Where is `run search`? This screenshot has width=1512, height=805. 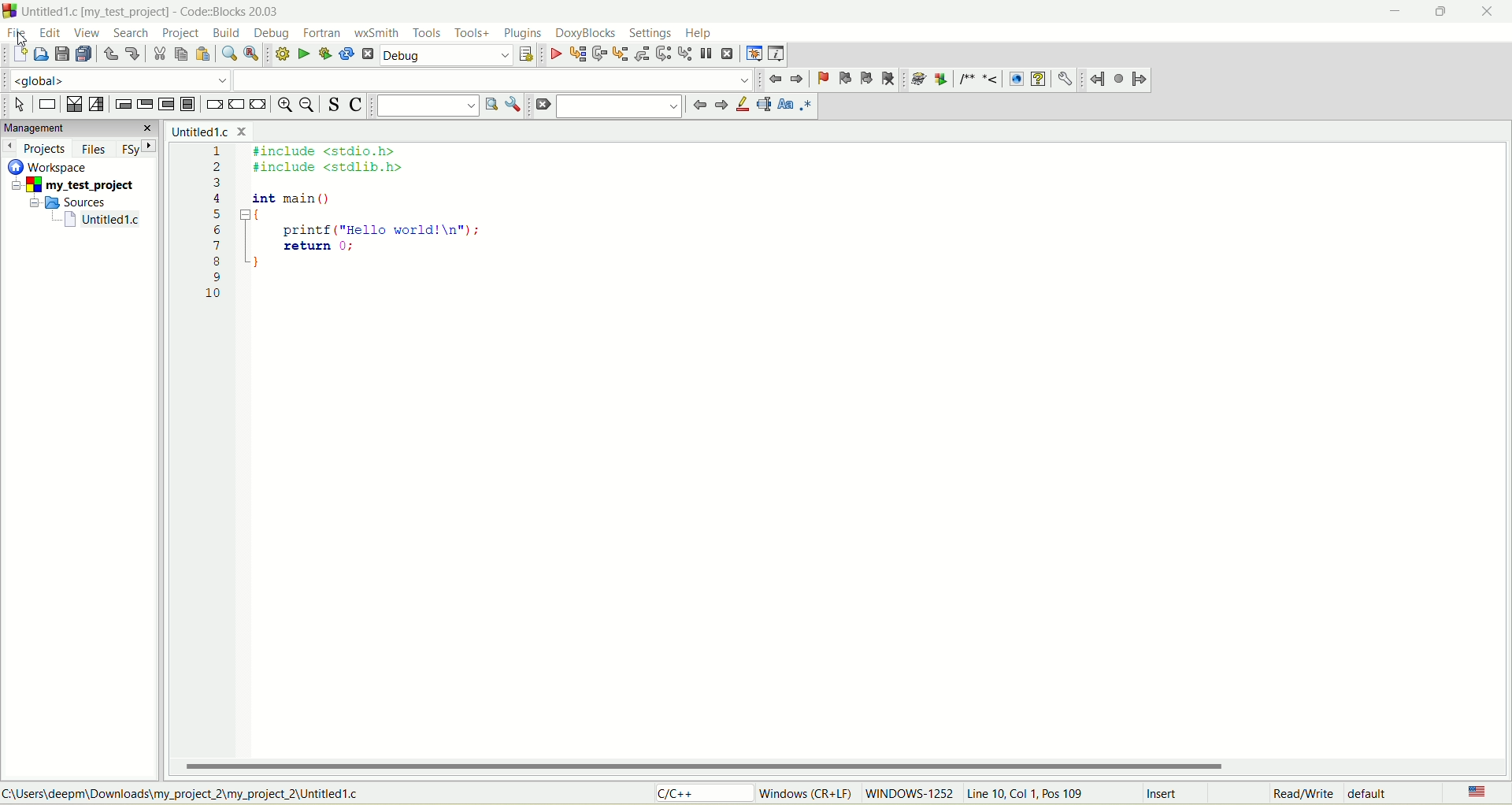 run search is located at coordinates (490, 104).